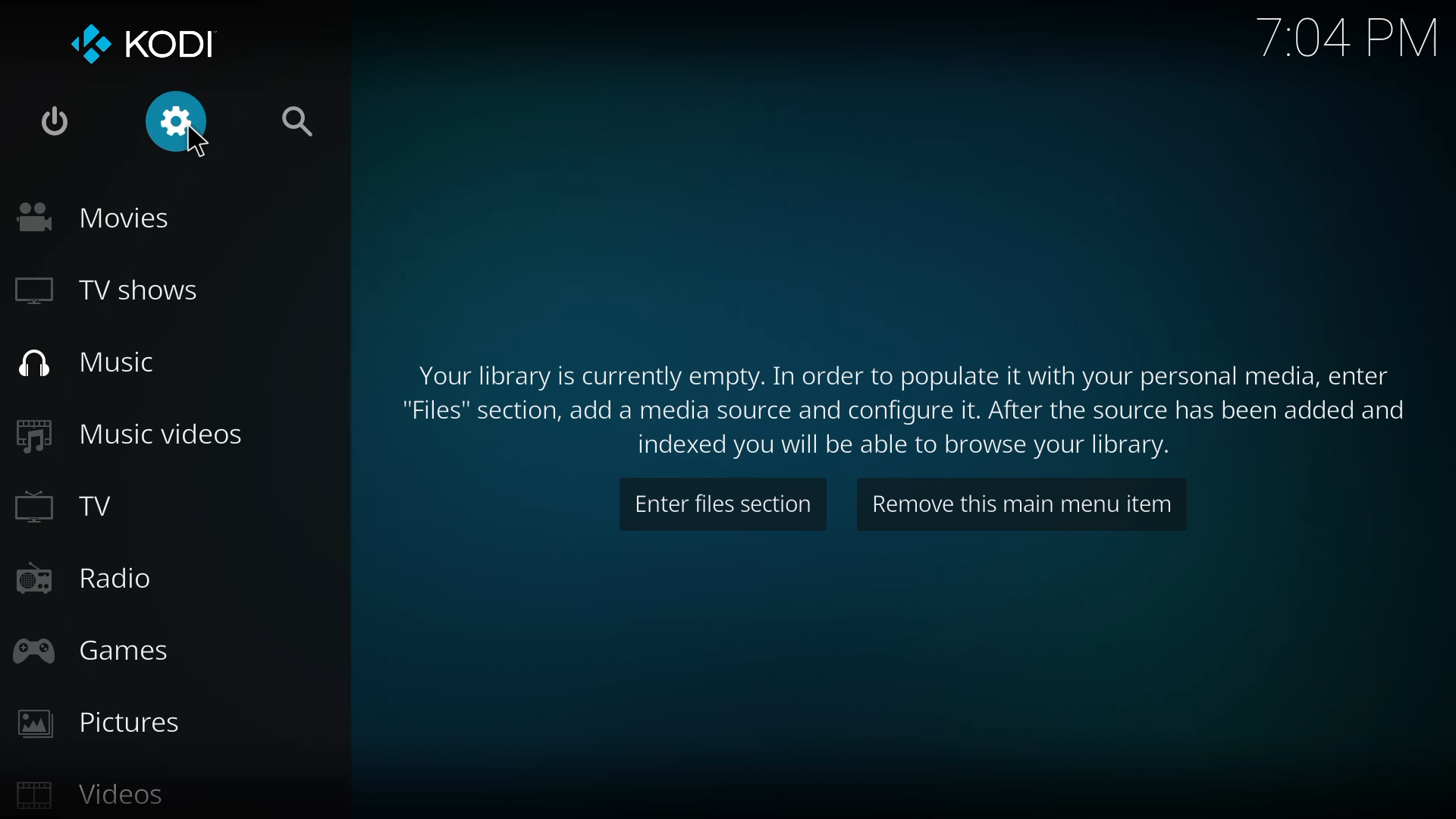 This screenshot has height=819, width=1456. I want to click on enter files section, so click(721, 507).